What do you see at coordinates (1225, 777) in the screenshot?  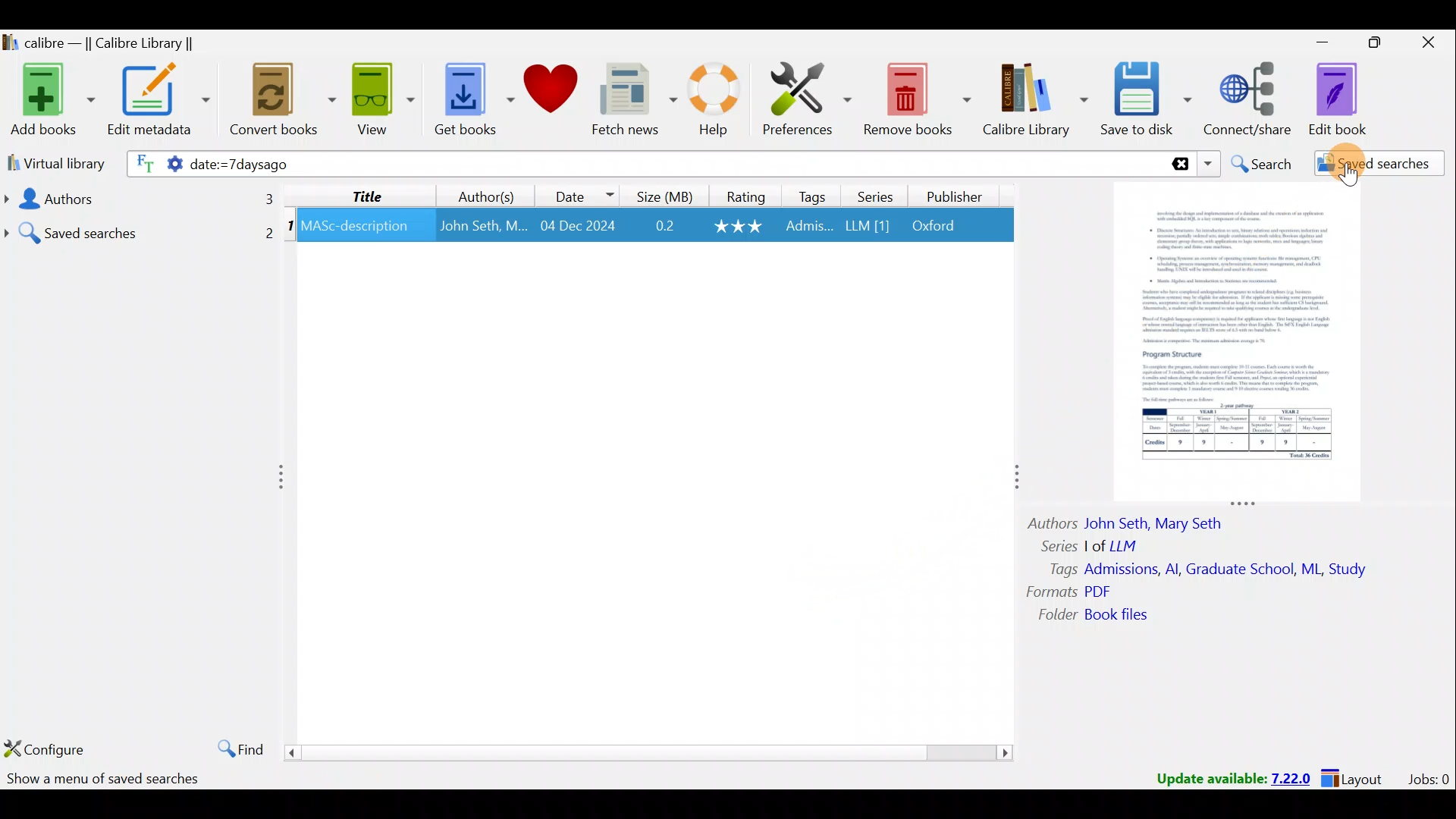 I see `Update available: 7.22.0` at bounding box center [1225, 777].